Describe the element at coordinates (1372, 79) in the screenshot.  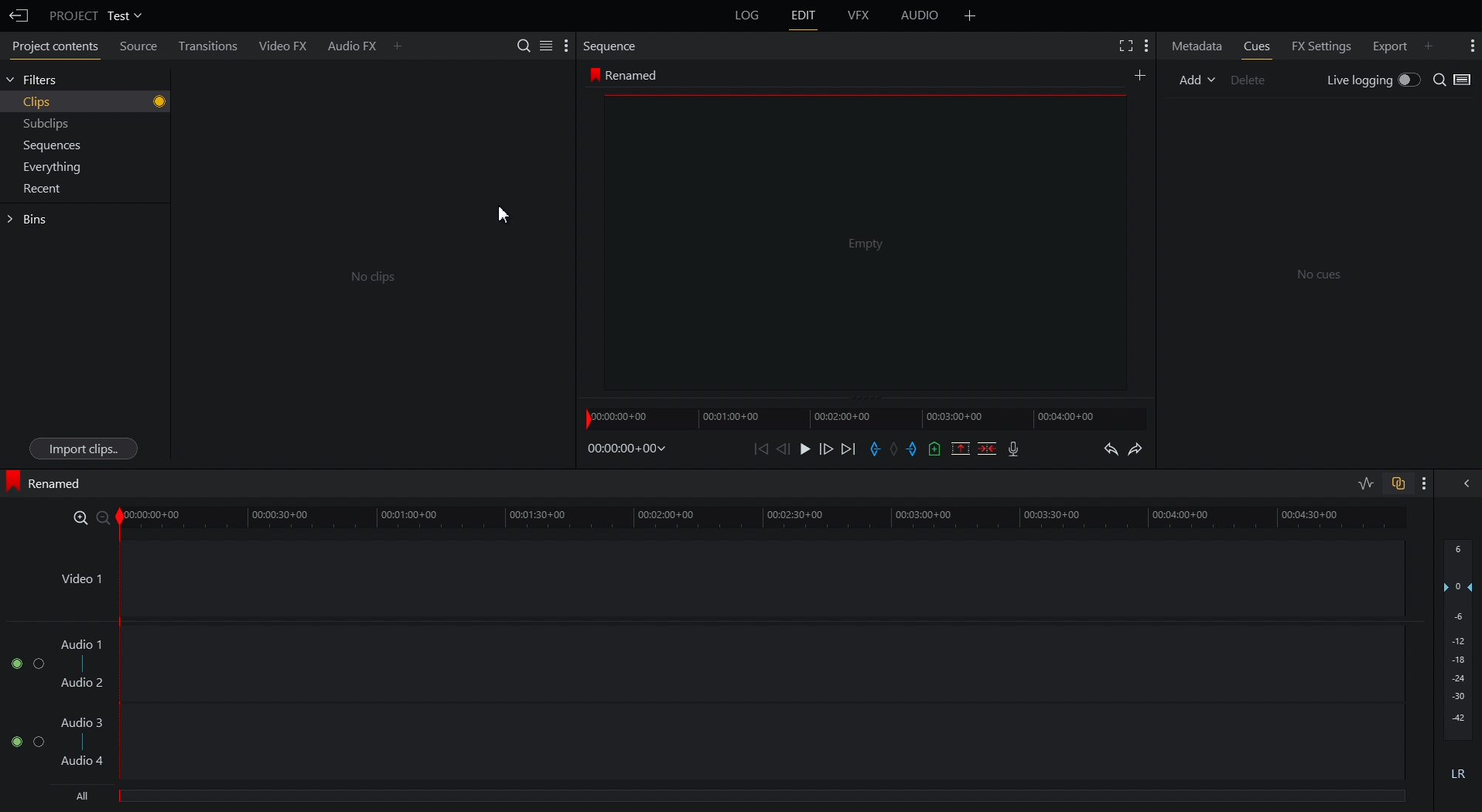
I see `Live logging` at that location.